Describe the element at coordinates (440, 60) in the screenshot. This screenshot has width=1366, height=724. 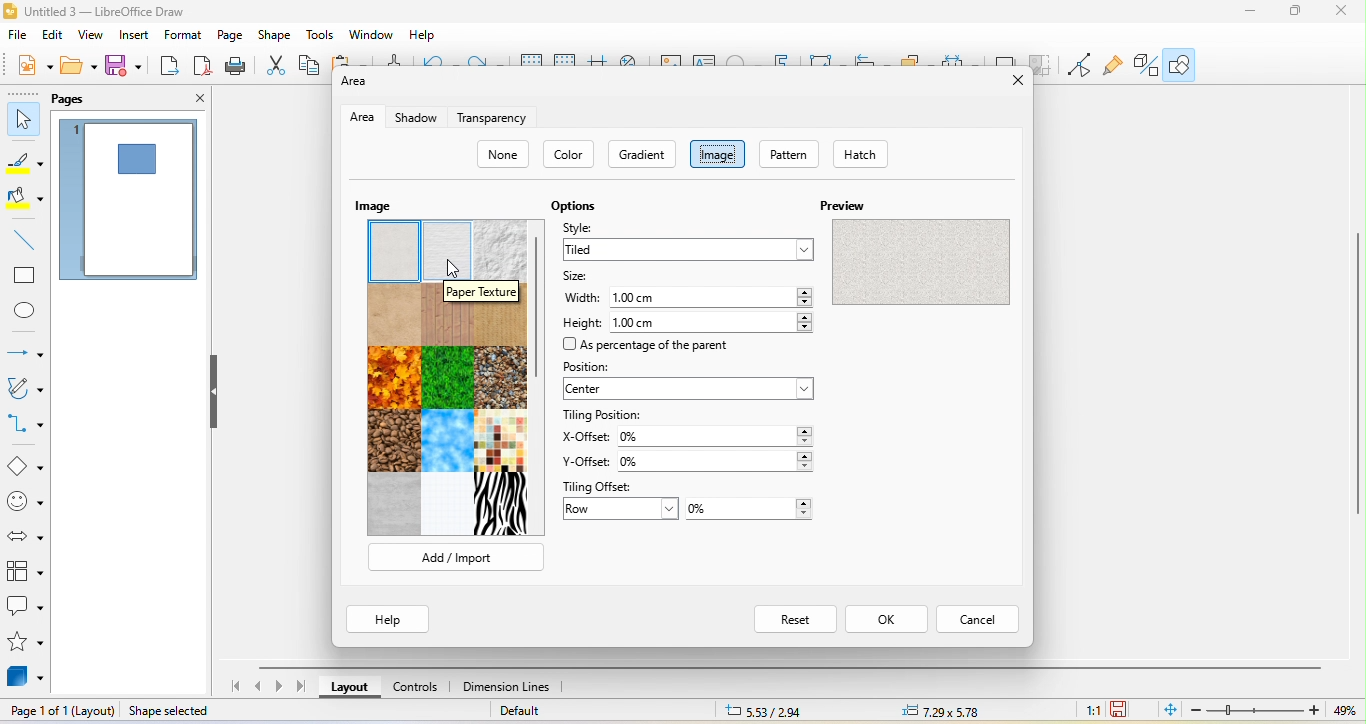
I see `undo` at that location.